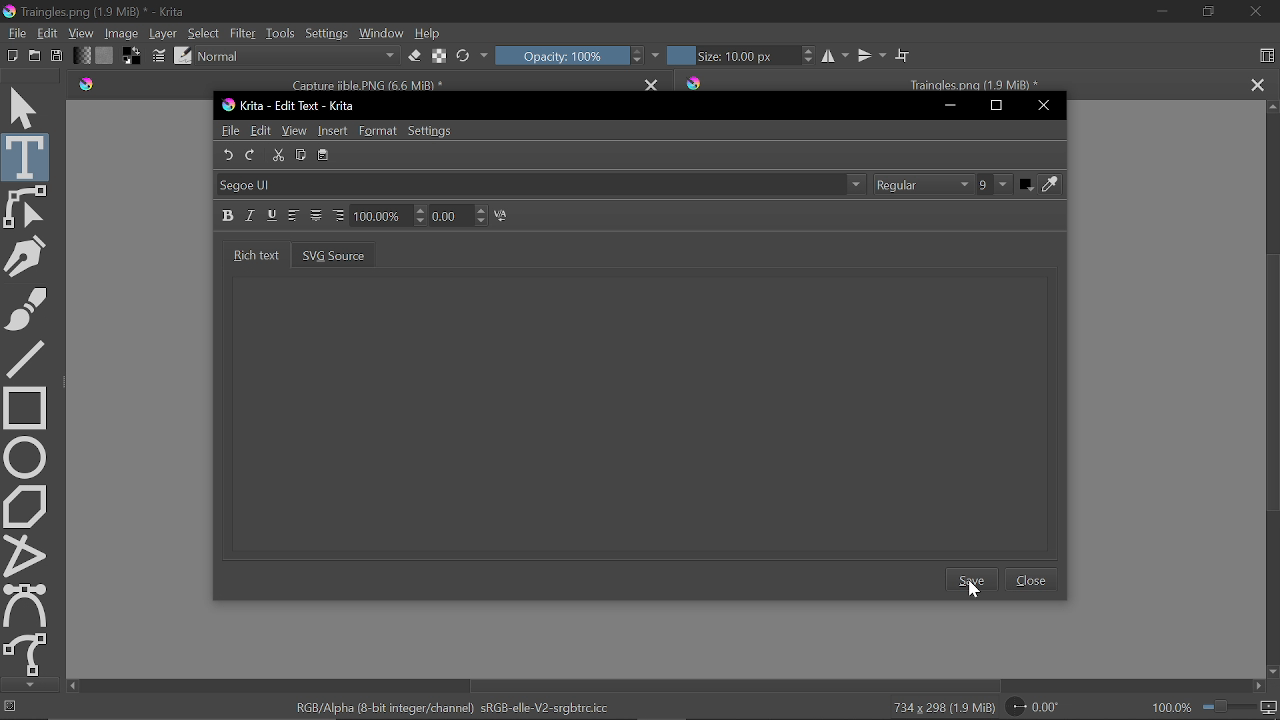  I want to click on Polygon tool, so click(28, 506).